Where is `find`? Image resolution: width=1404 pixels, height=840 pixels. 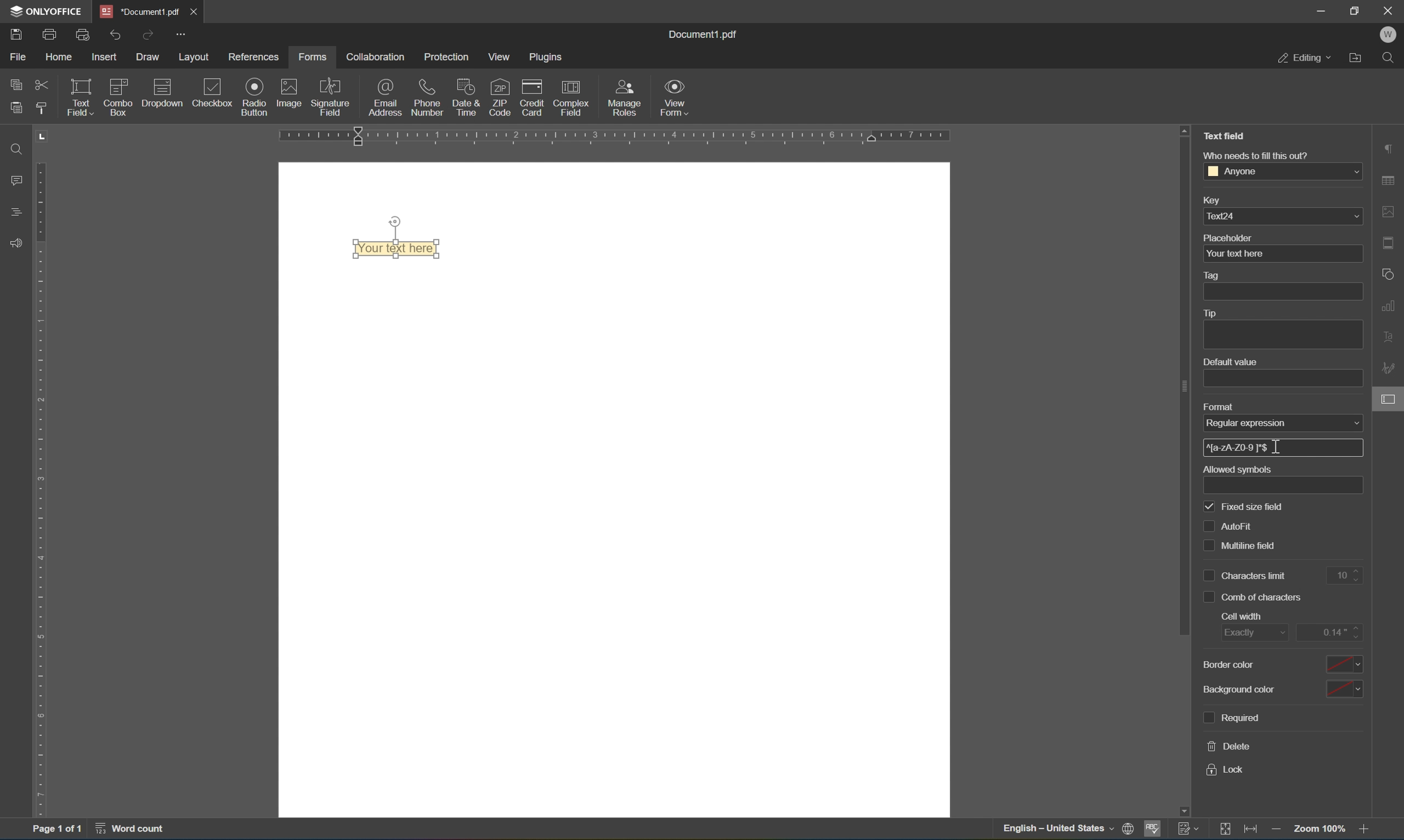 find is located at coordinates (16, 148).